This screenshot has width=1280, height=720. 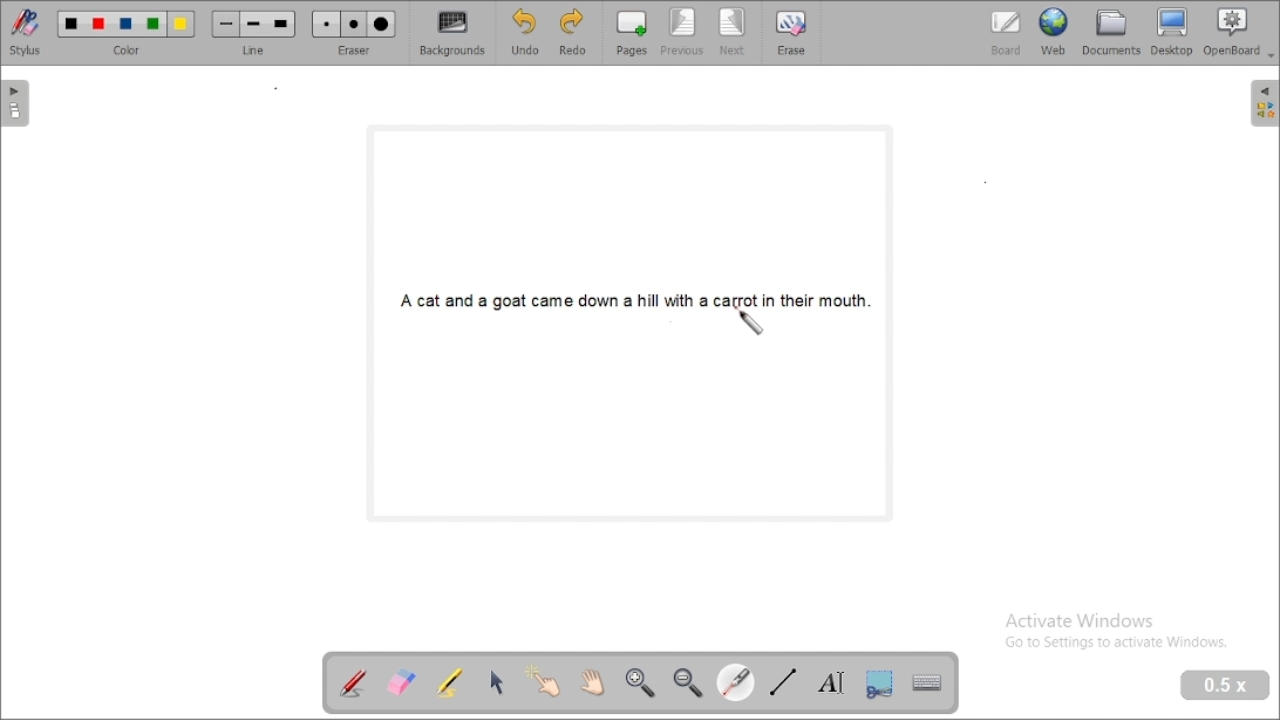 What do you see at coordinates (510, 301) in the screenshot?
I see `goat` at bounding box center [510, 301].